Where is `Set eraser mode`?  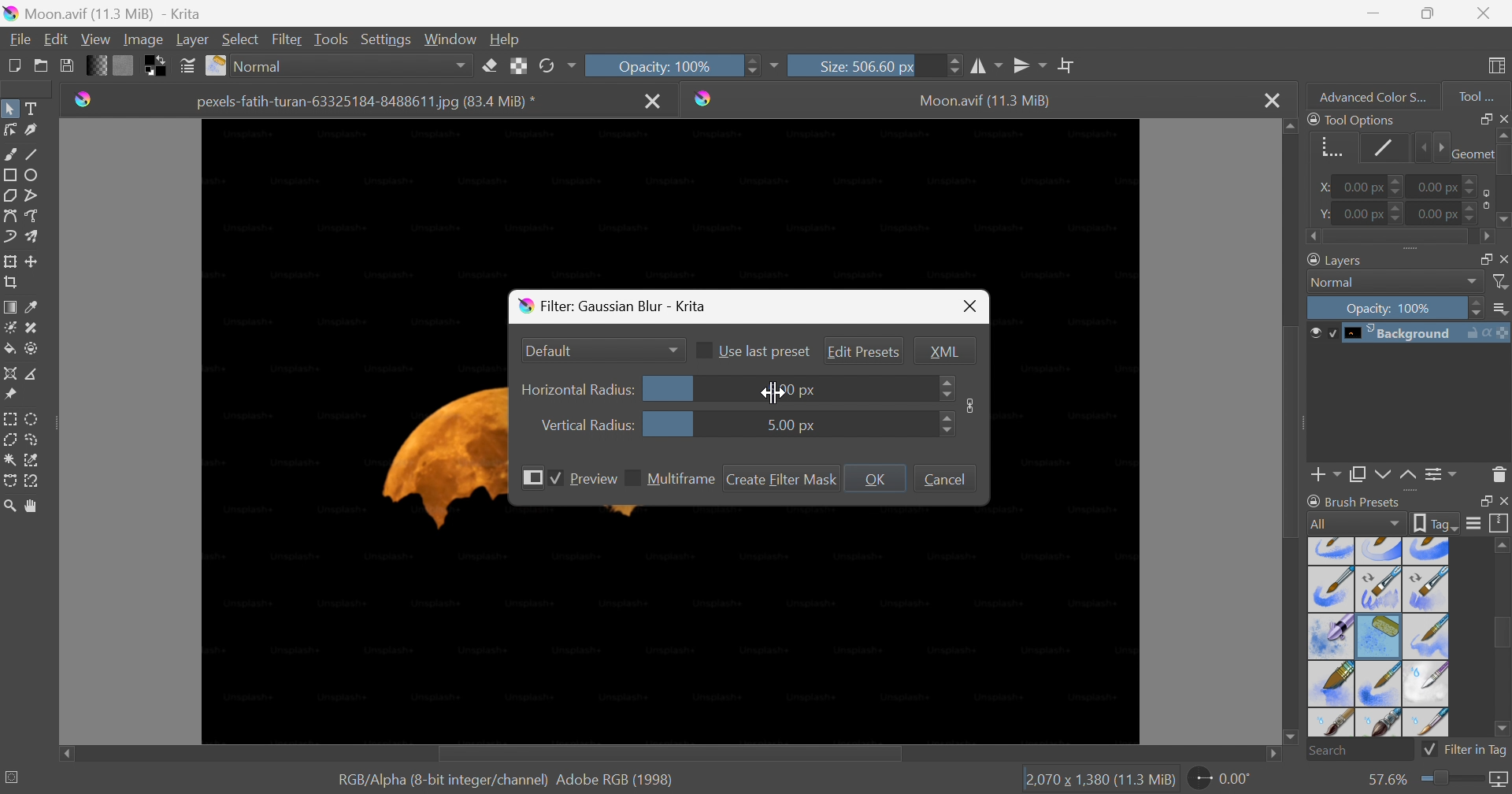
Set eraser mode is located at coordinates (491, 65).